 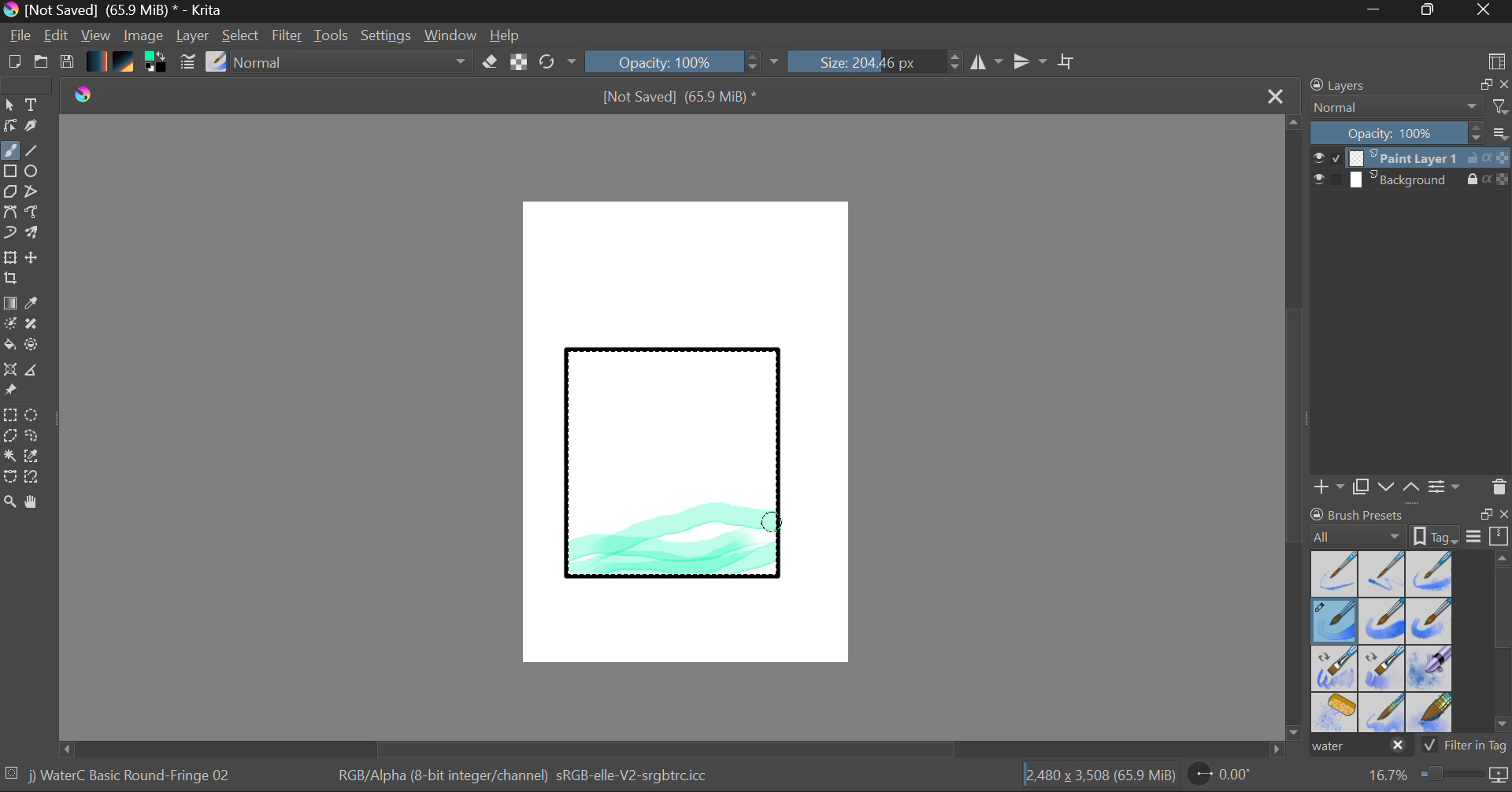 What do you see at coordinates (771, 521) in the screenshot?
I see `MOUSE_DOWN Stroke 5` at bounding box center [771, 521].